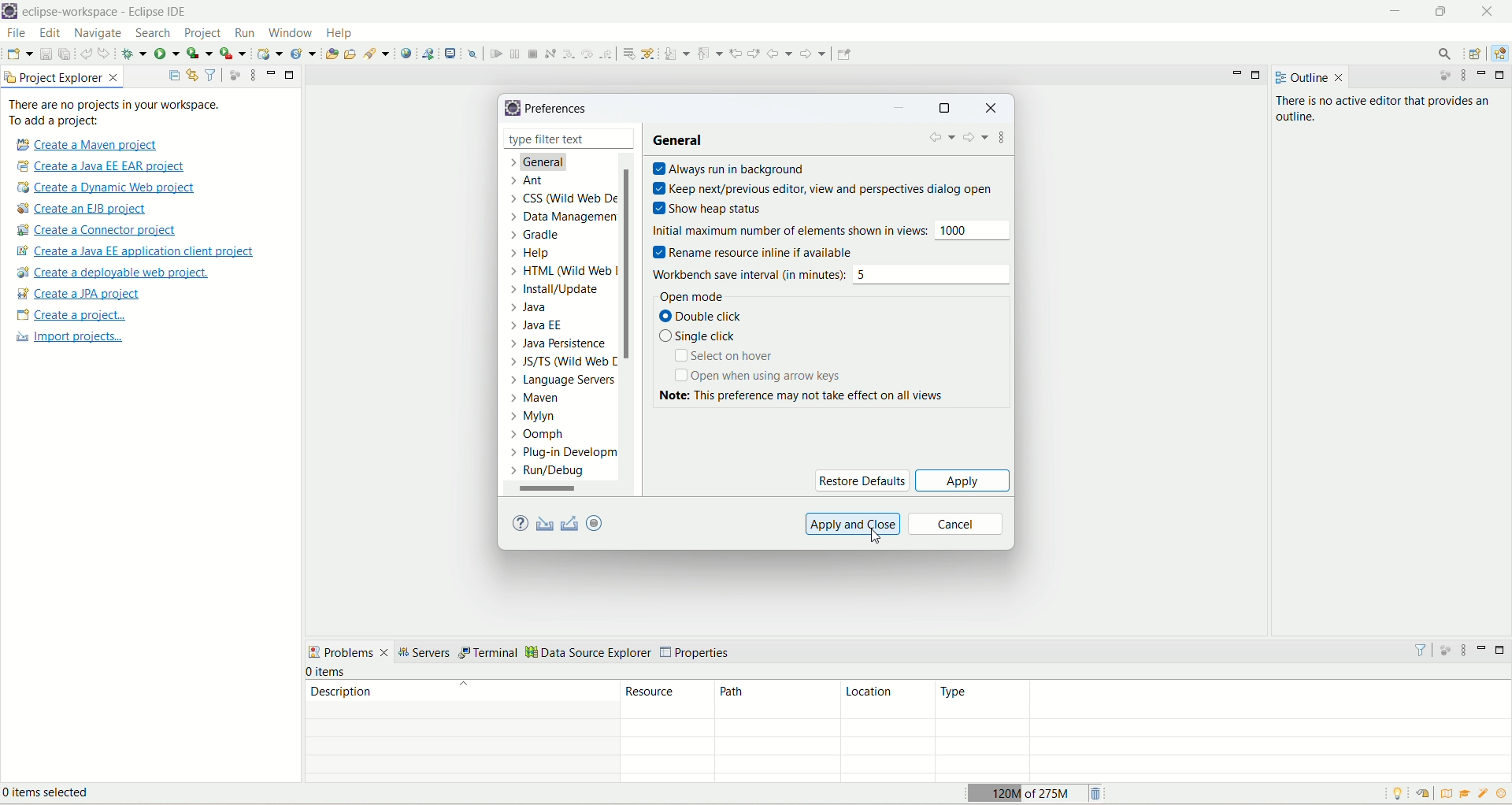 Image resolution: width=1512 pixels, height=805 pixels. I want to click on run, so click(243, 32).